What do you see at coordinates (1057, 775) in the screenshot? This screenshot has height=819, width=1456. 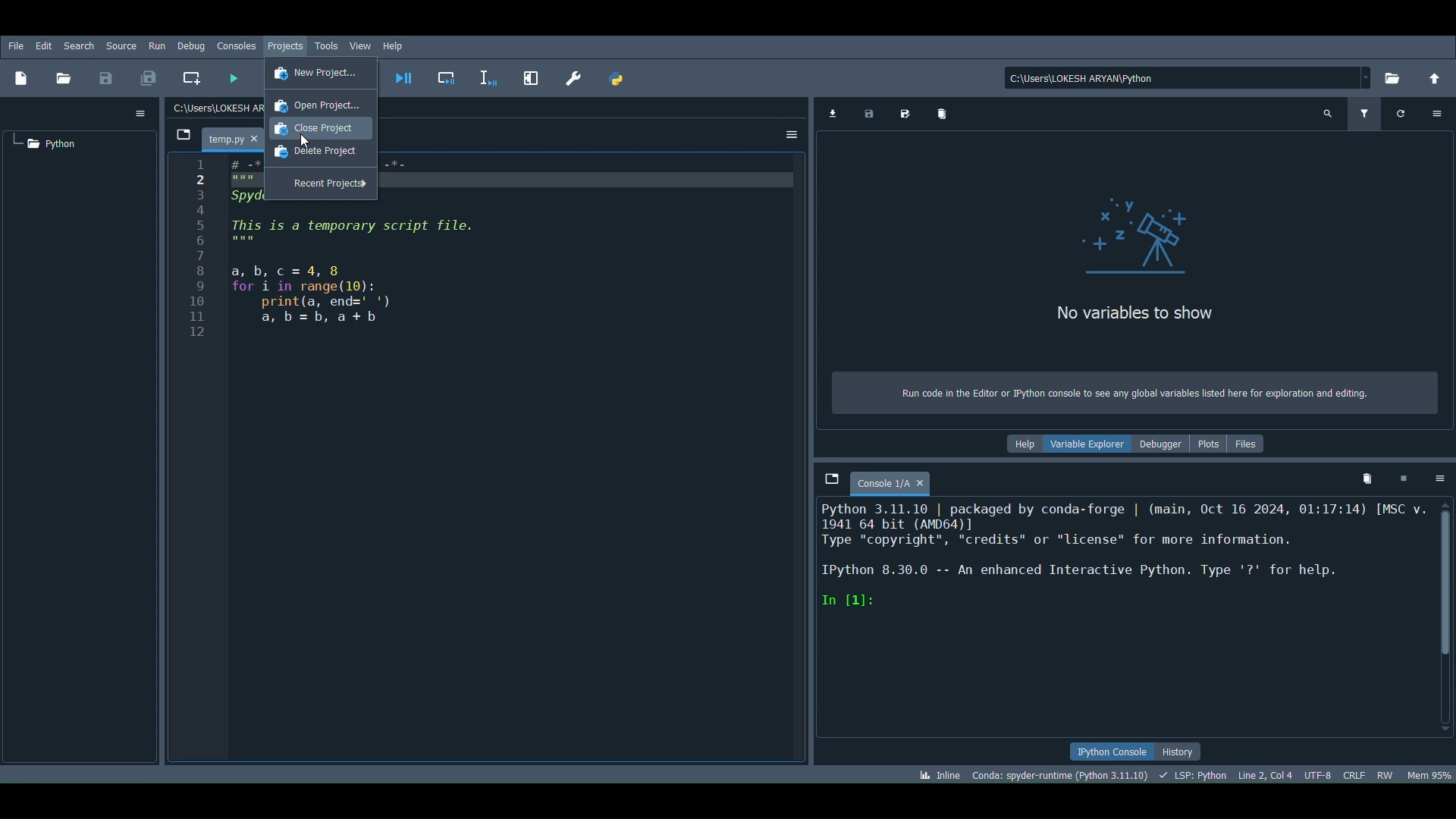 I see `Version` at bounding box center [1057, 775].